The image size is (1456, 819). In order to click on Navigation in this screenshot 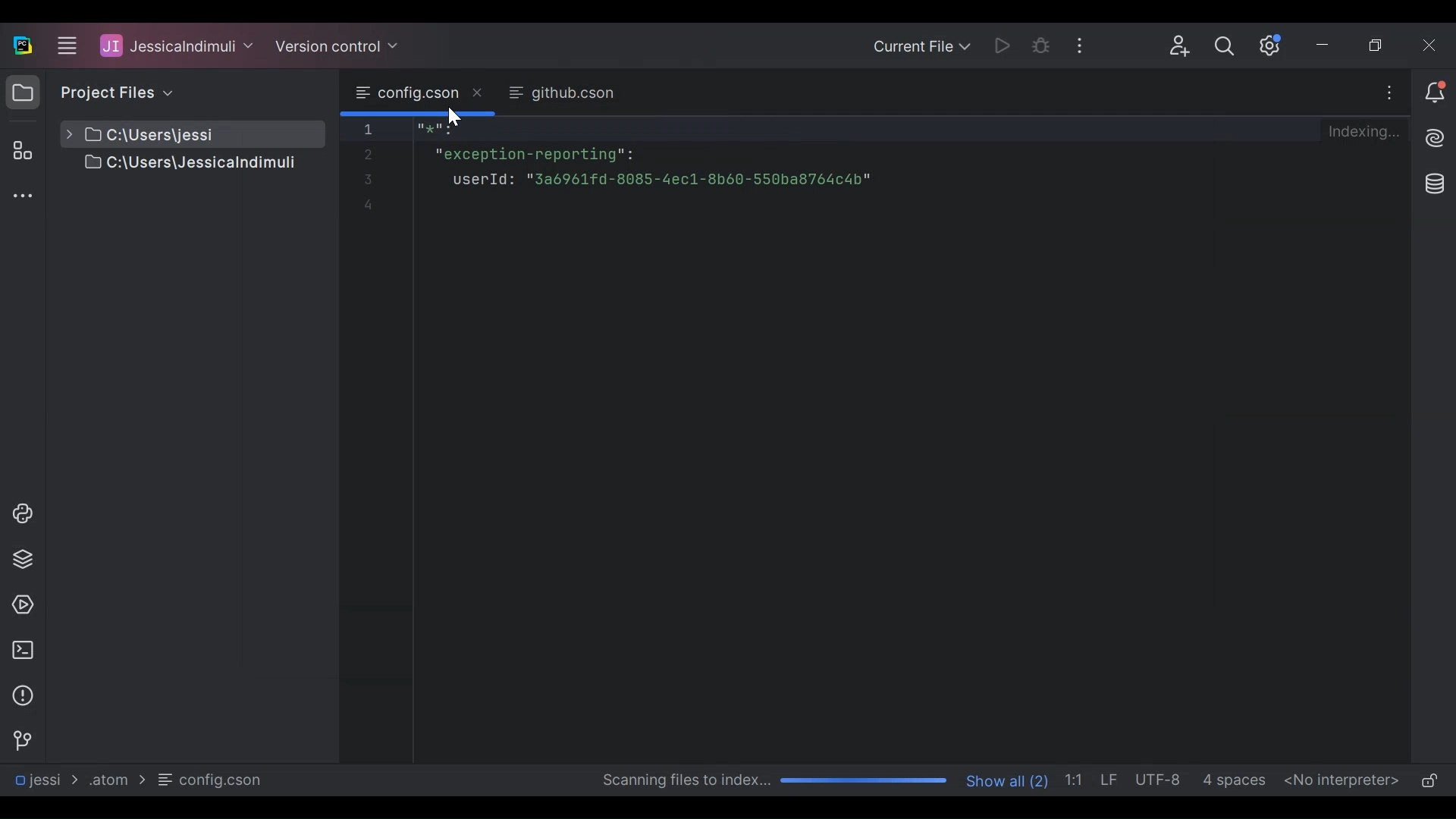, I will do `click(21, 741)`.